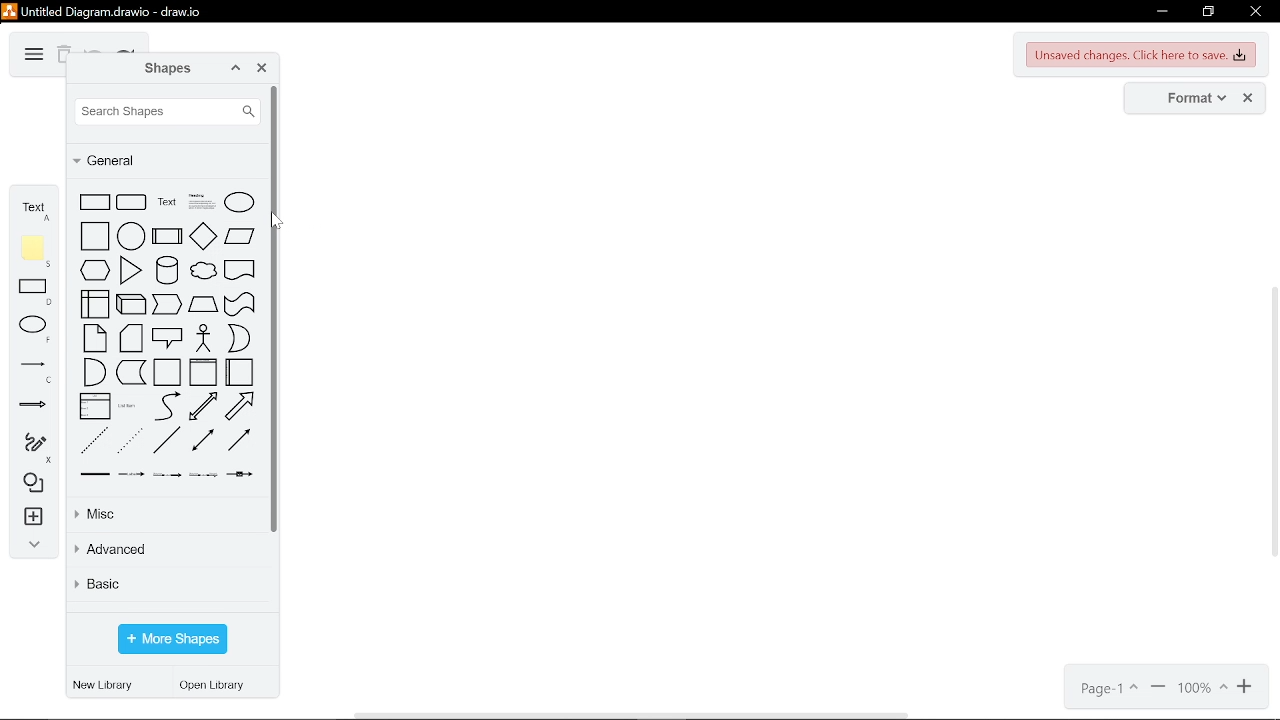 This screenshot has width=1280, height=720. Describe the element at coordinates (203, 271) in the screenshot. I see `cloud` at that location.